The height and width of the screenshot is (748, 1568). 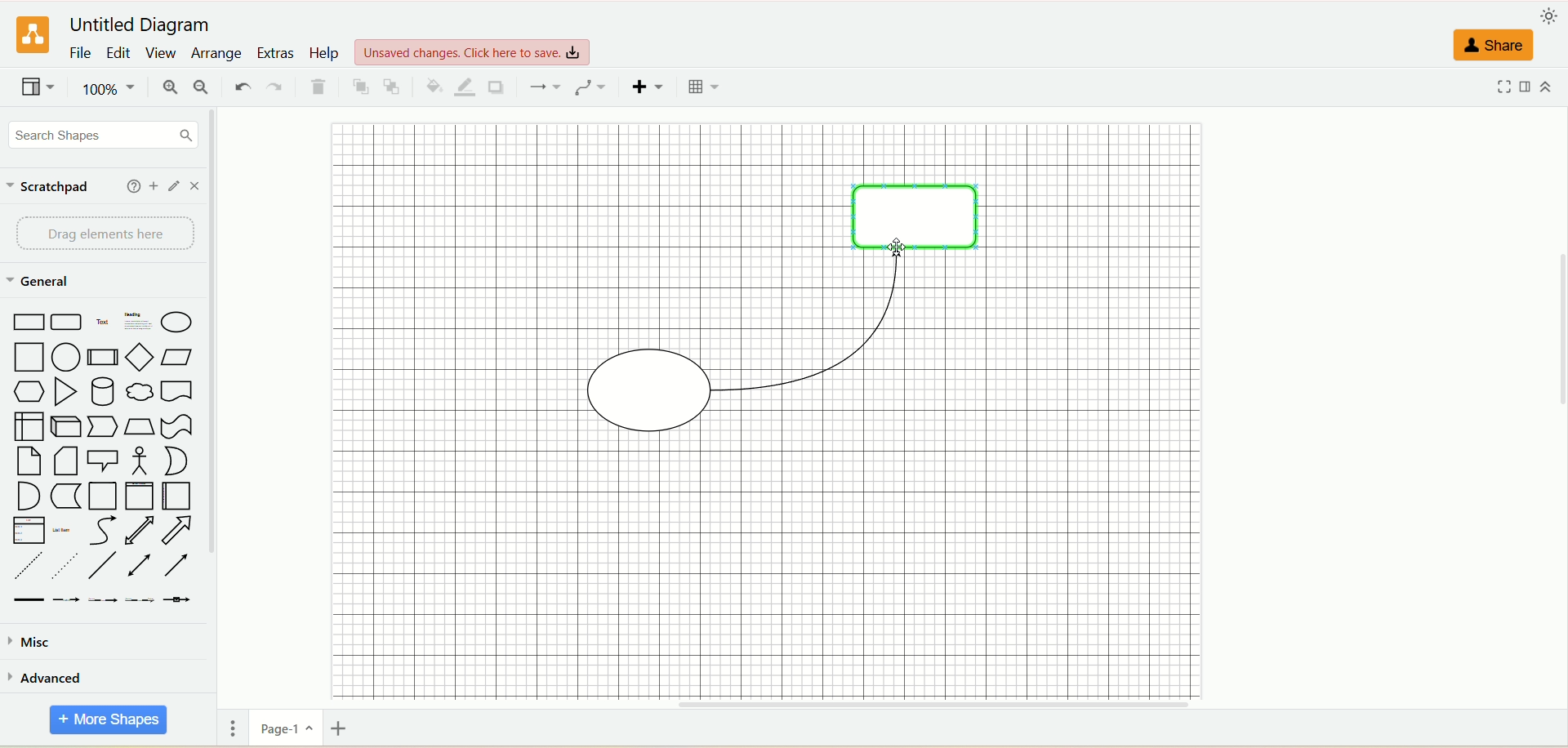 I want to click on line color, so click(x=461, y=87).